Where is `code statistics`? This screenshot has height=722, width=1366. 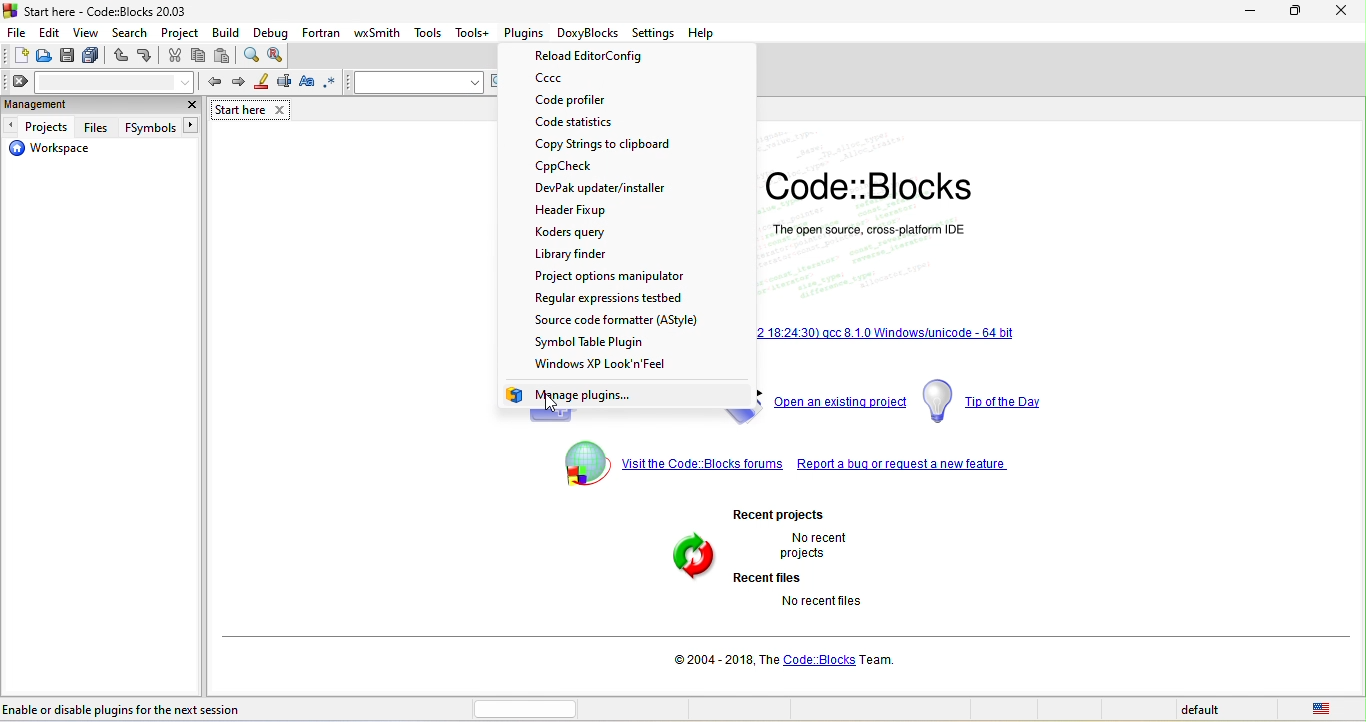 code statistics is located at coordinates (608, 123).